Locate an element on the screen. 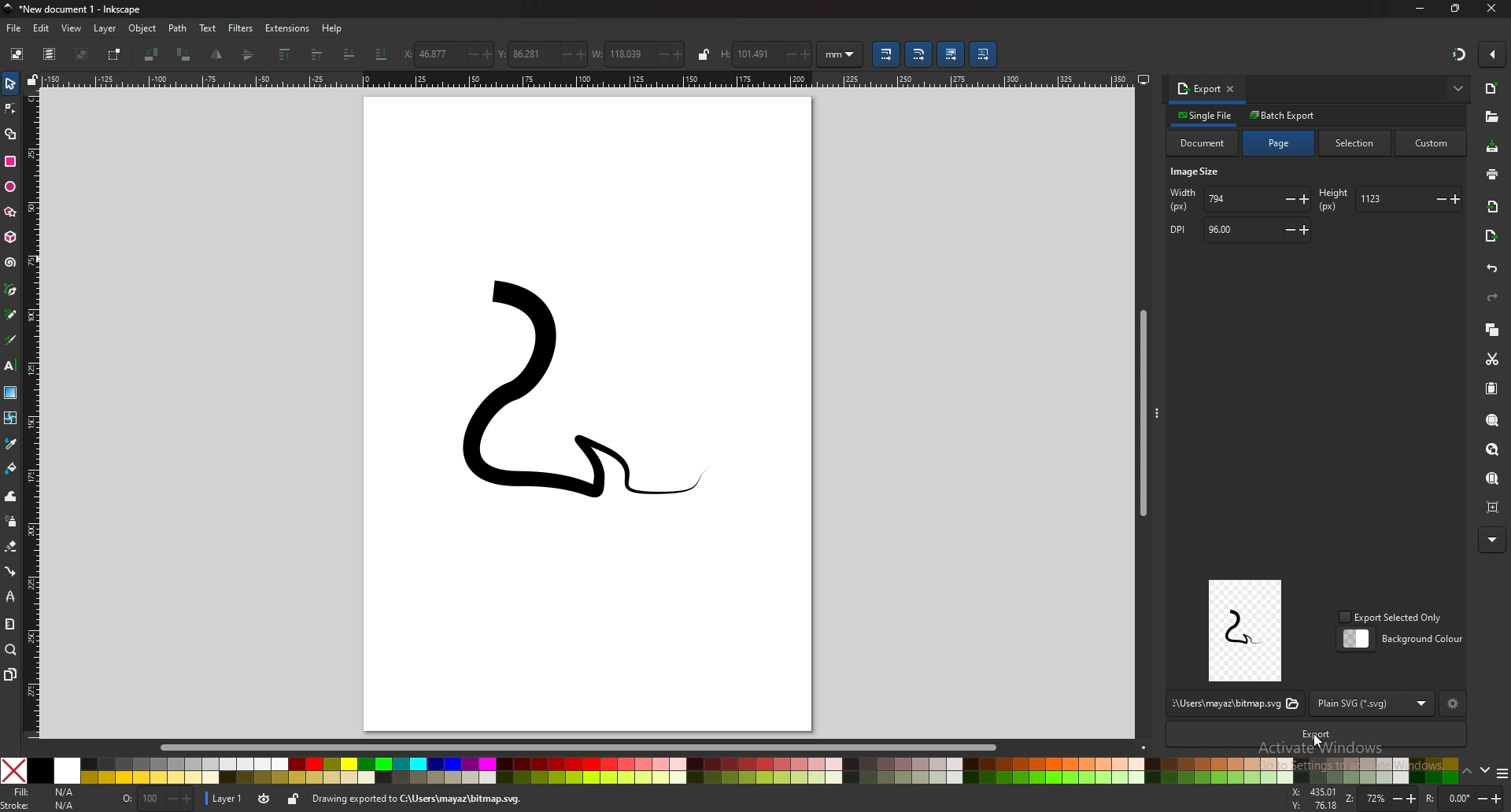  width is located at coordinates (639, 53).